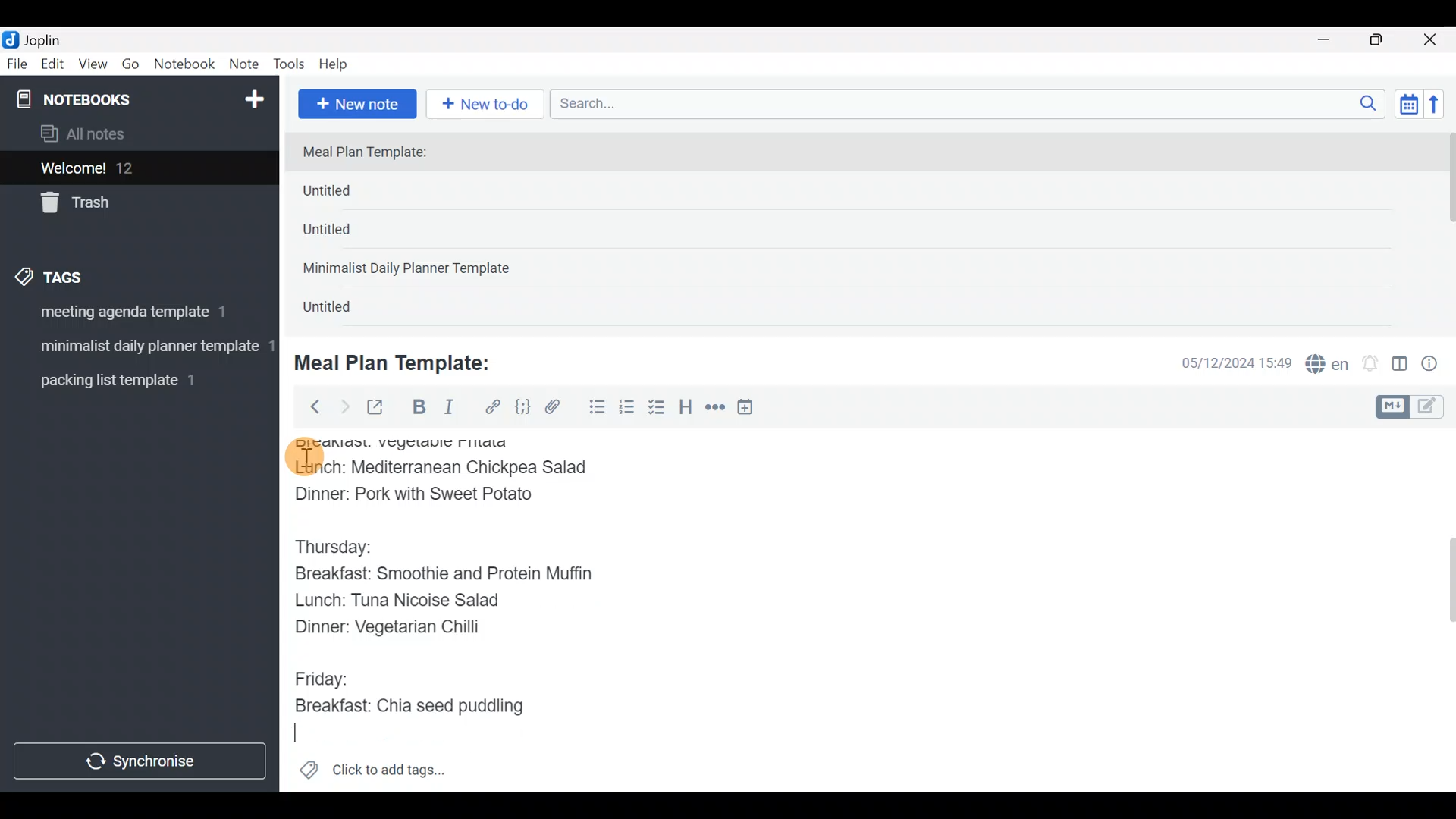 The width and height of the screenshot is (1456, 819). I want to click on Dinner: Vegetarian Chilli, so click(401, 630).